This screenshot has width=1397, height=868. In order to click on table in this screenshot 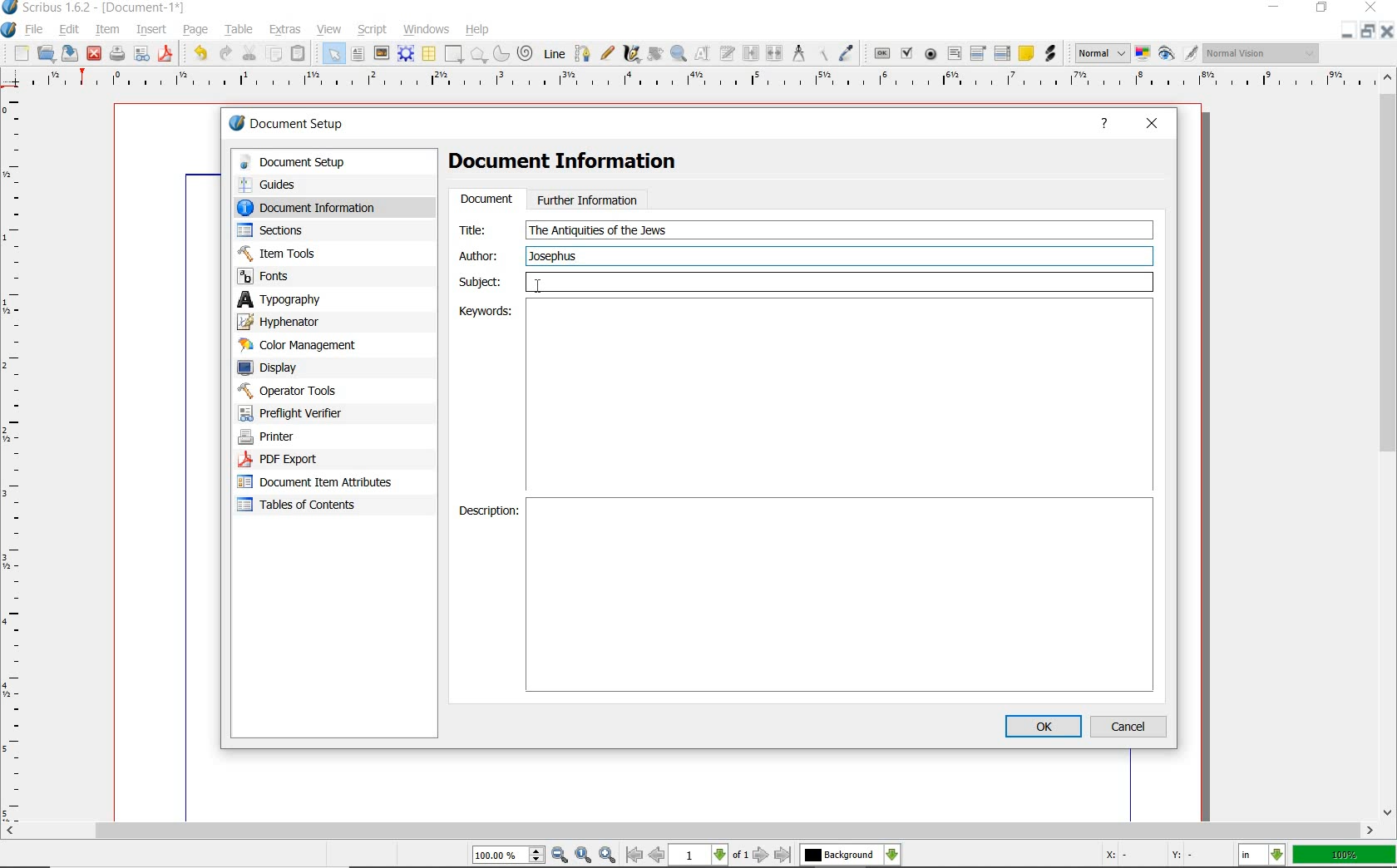, I will do `click(239, 29)`.